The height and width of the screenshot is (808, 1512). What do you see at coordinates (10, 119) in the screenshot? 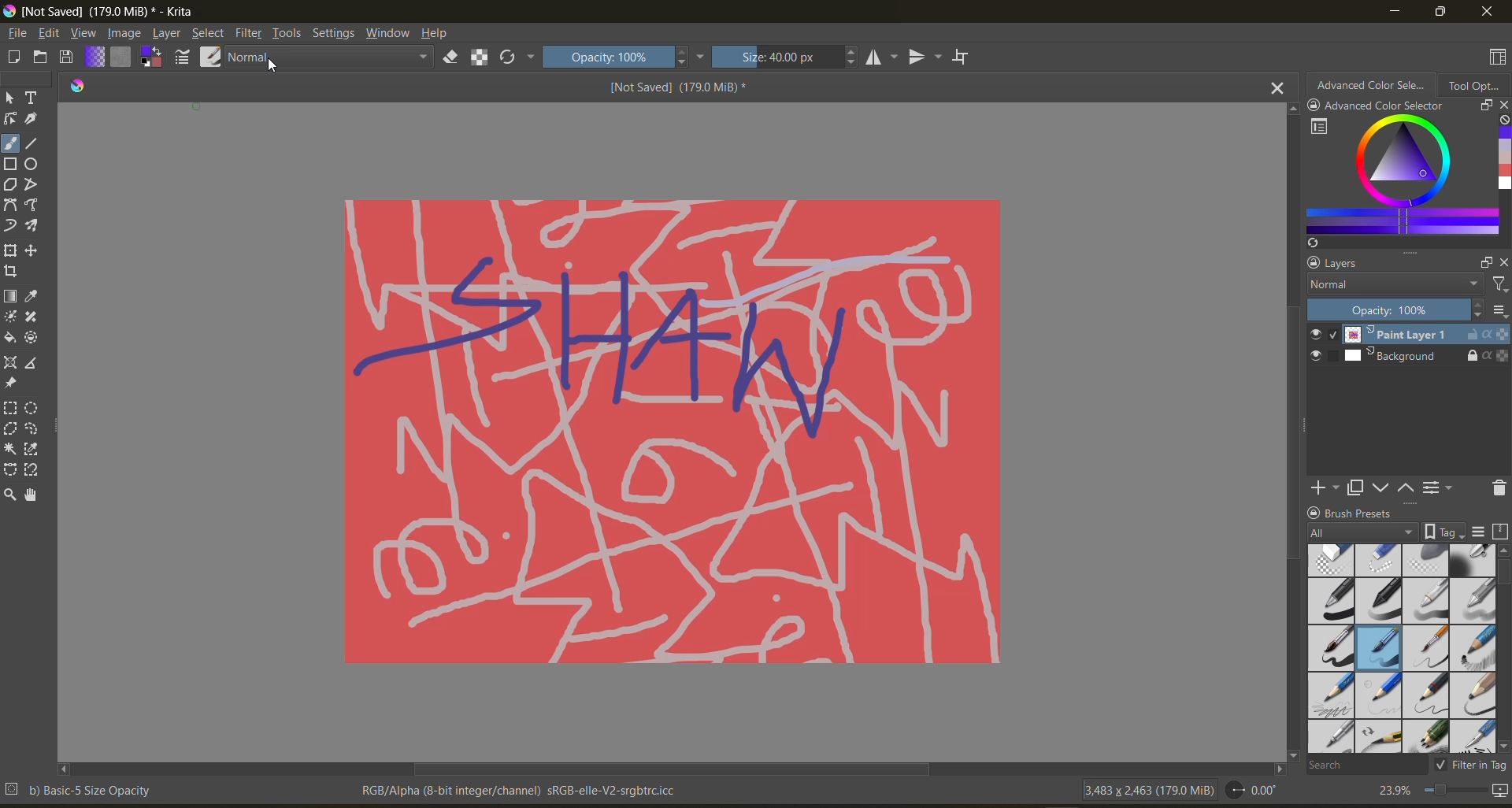
I see `edit shapes tool` at bounding box center [10, 119].